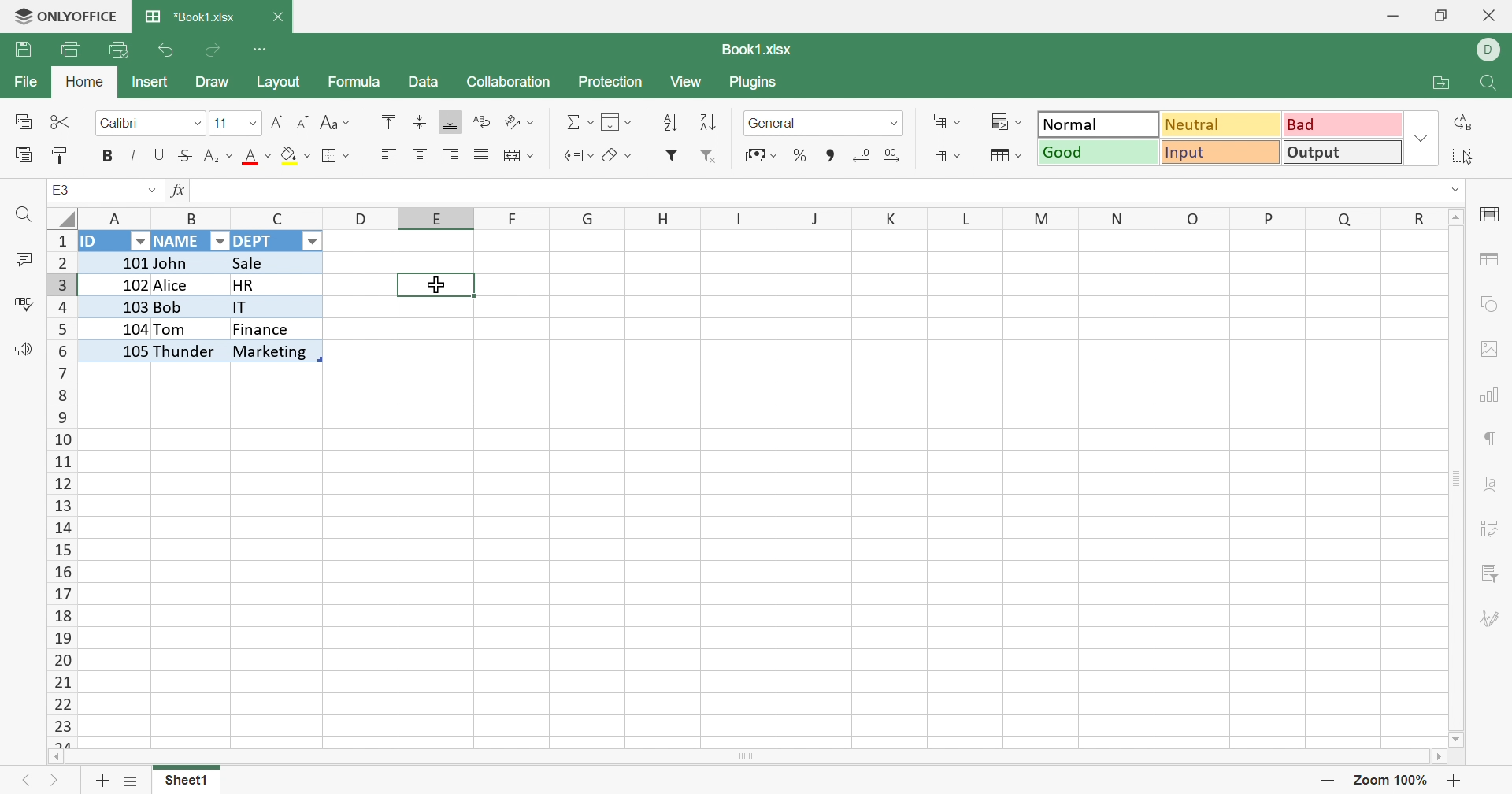  What do you see at coordinates (197, 121) in the screenshot?
I see `Drop Down` at bounding box center [197, 121].